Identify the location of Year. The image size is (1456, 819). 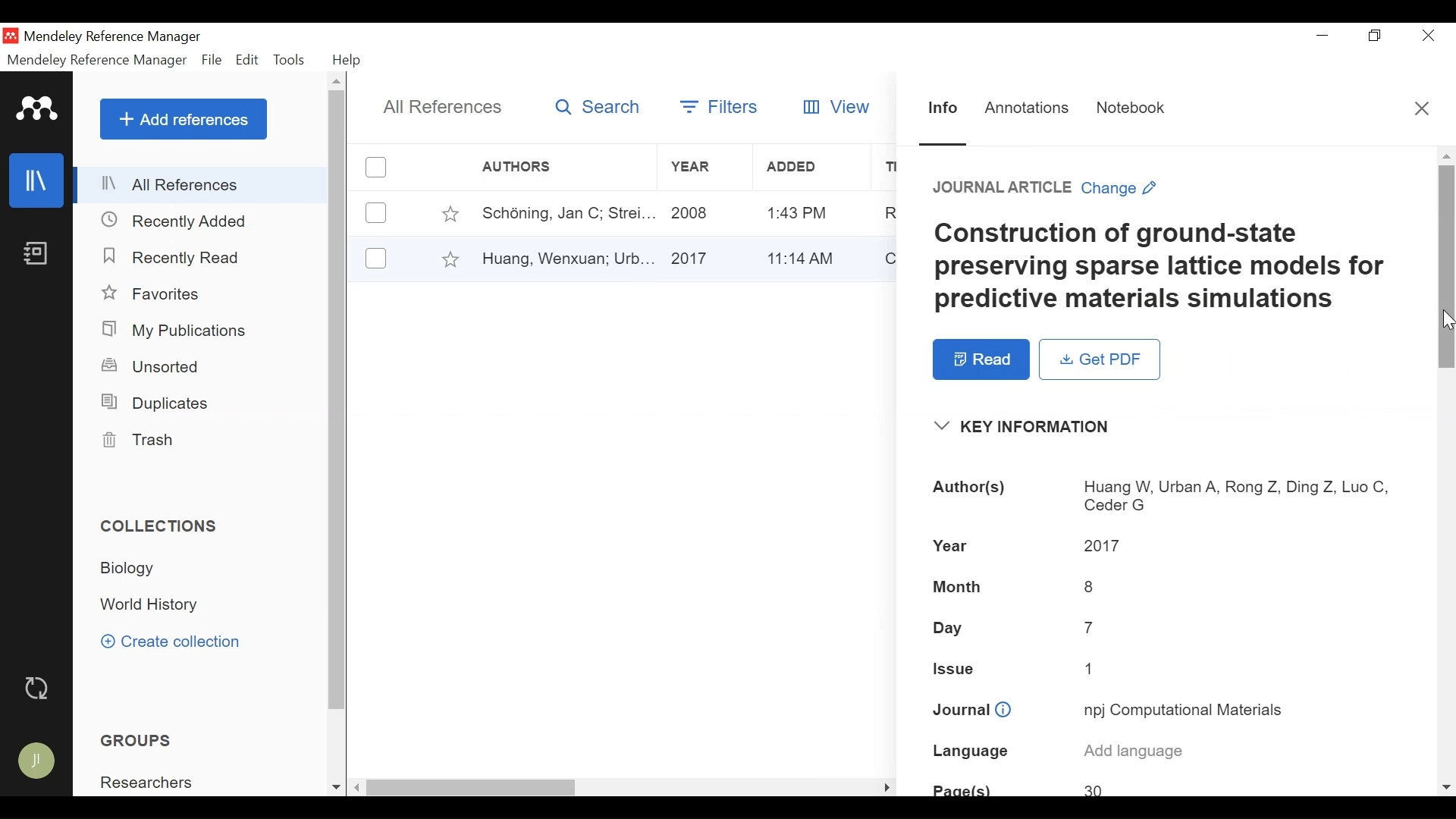
(700, 167).